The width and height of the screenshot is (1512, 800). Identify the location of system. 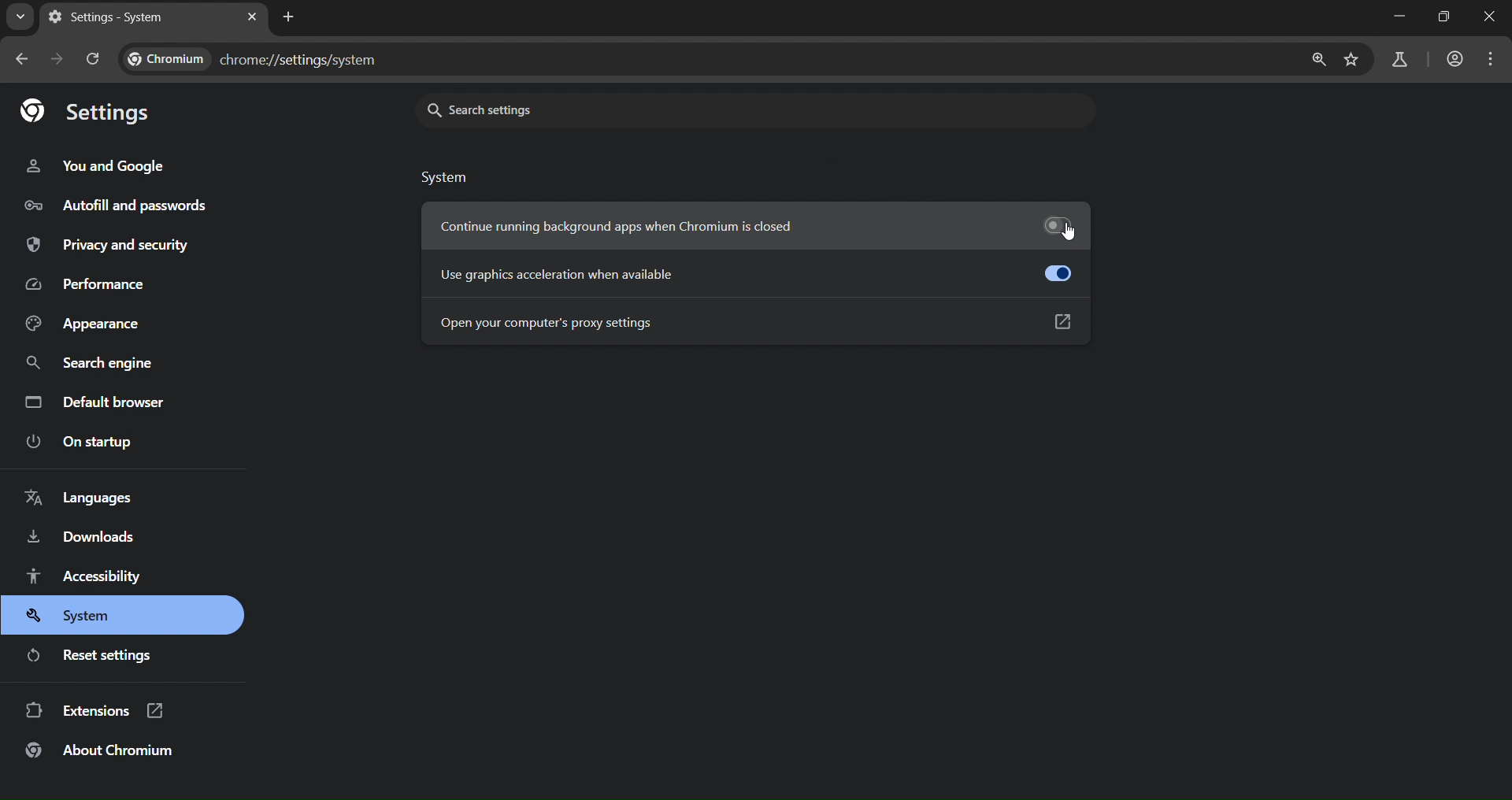
(80, 617).